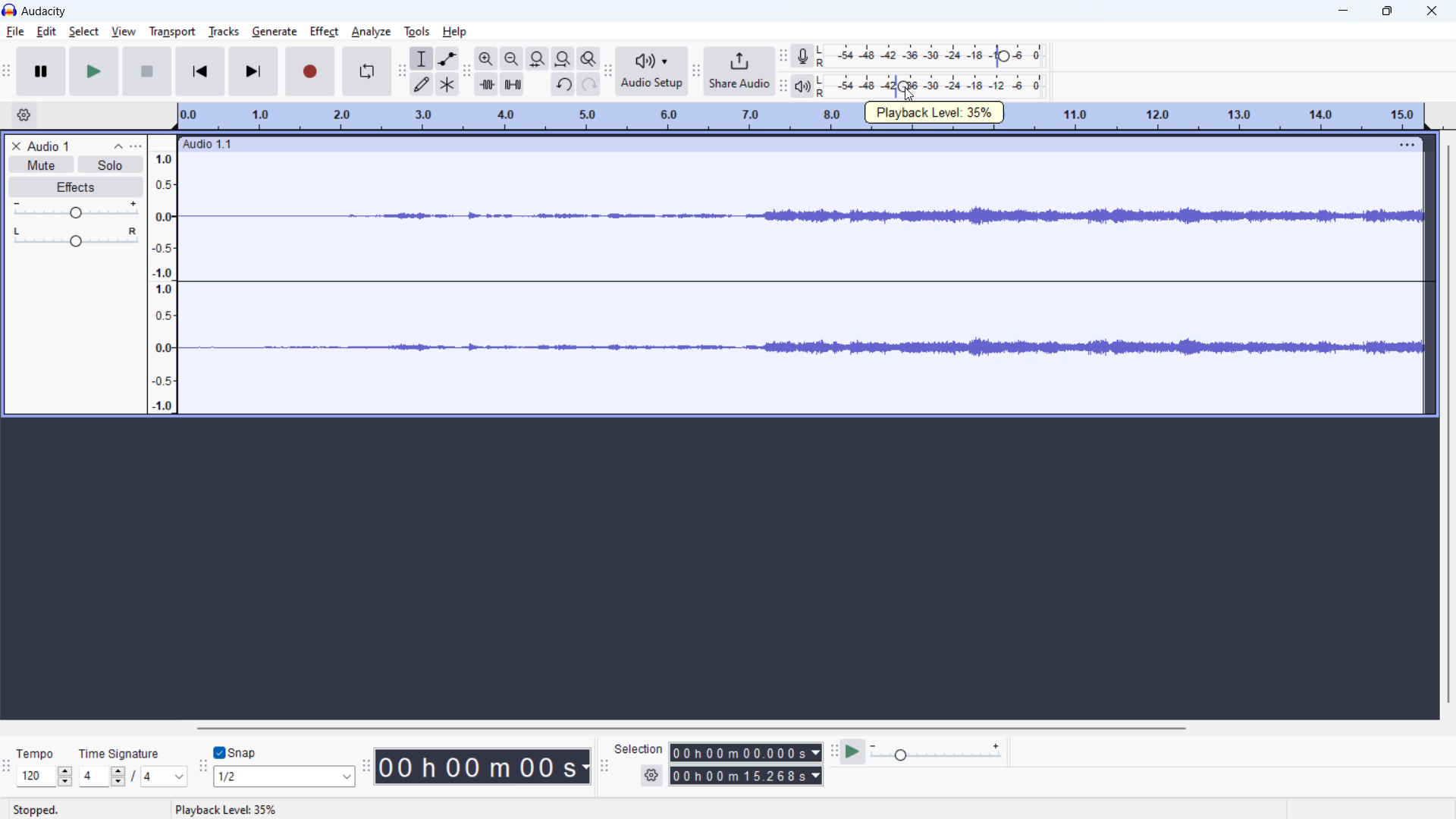 The image size is (1456, 819). What do you see at coordinates (224, 32) in the screenshot?
I see `tracks` at bounding box center [224, 32].